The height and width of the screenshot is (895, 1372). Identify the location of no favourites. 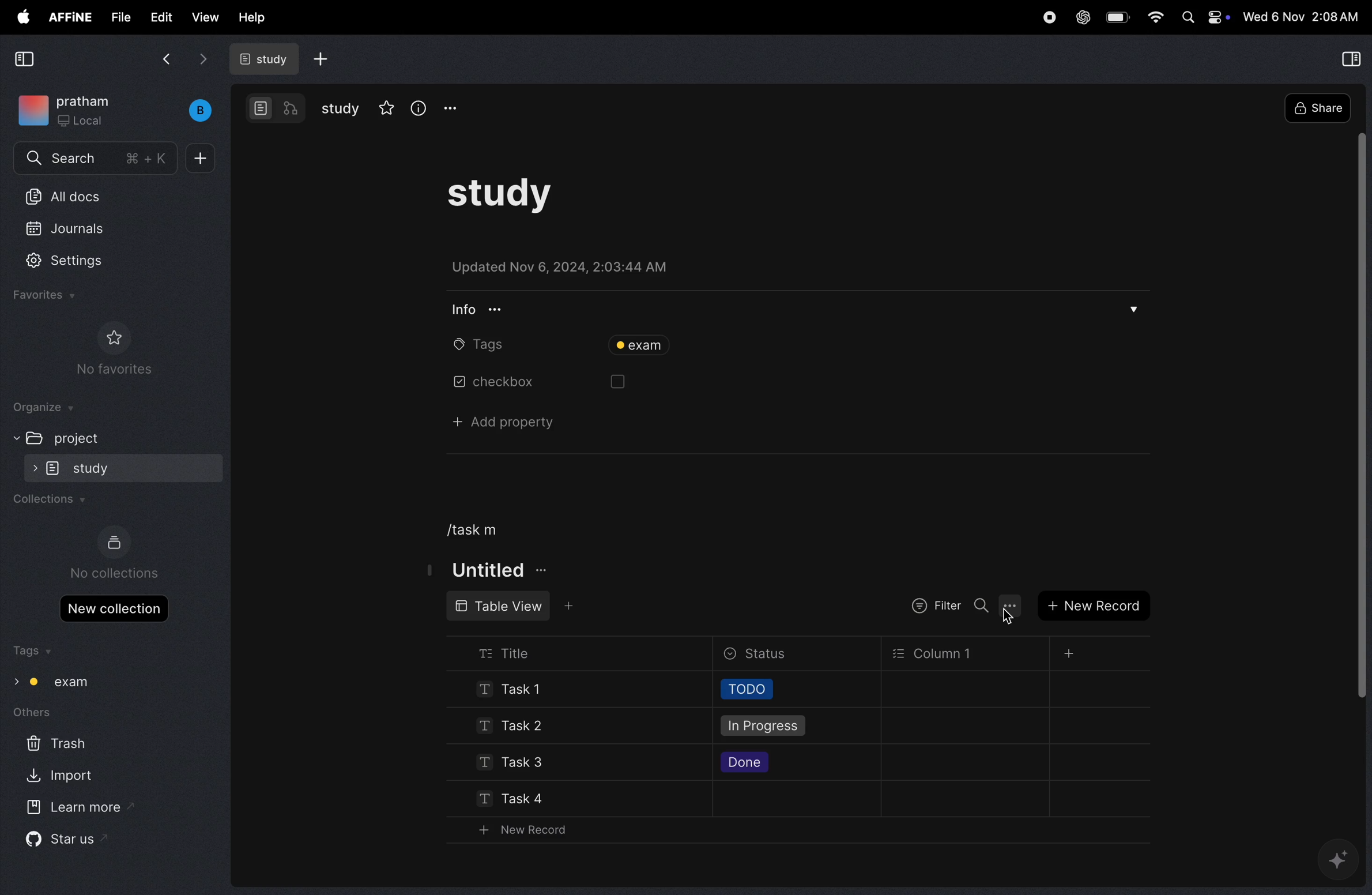
(116, 348).